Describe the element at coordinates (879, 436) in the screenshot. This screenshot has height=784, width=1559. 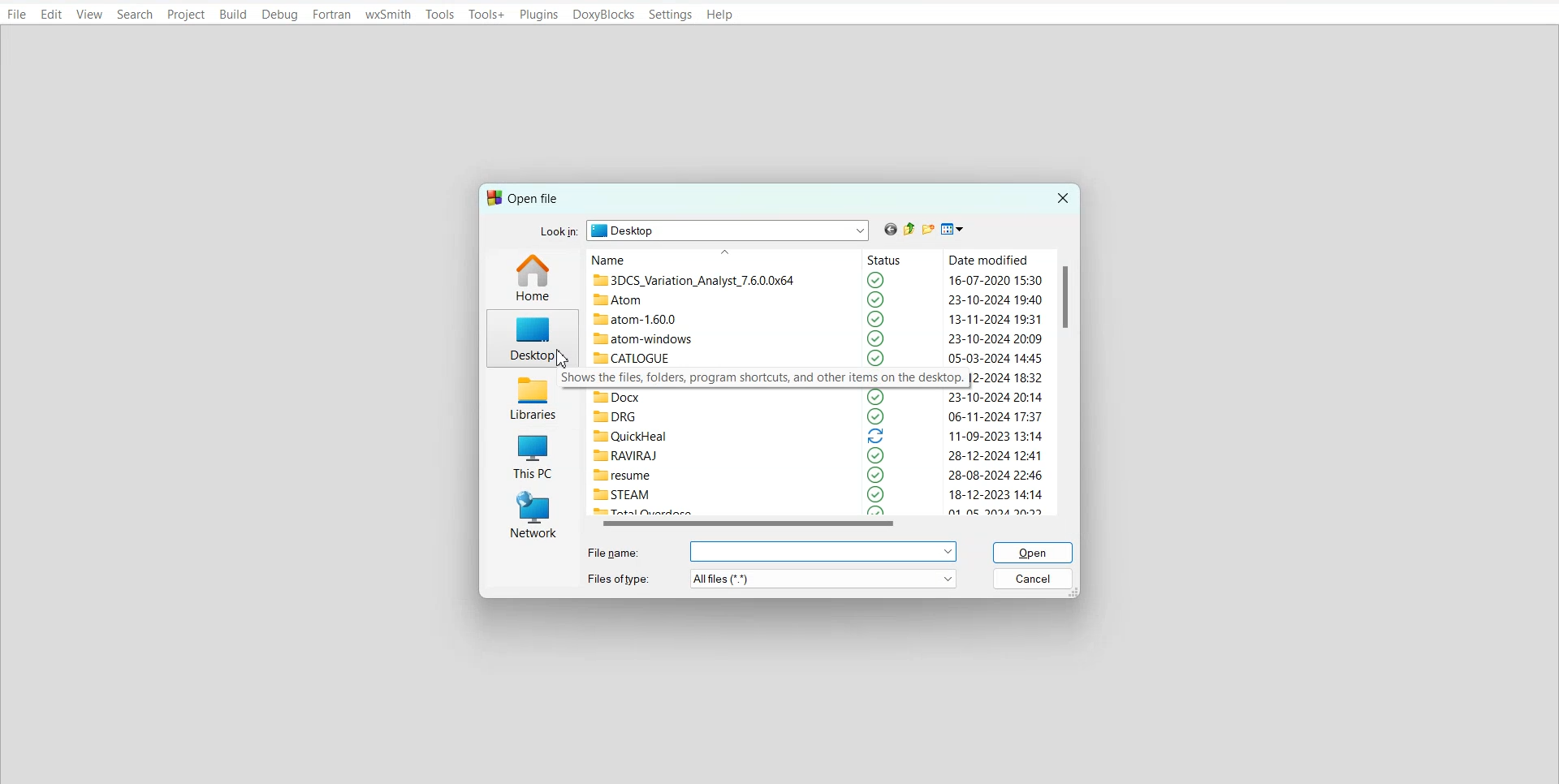
I see `reload logo` at that location.